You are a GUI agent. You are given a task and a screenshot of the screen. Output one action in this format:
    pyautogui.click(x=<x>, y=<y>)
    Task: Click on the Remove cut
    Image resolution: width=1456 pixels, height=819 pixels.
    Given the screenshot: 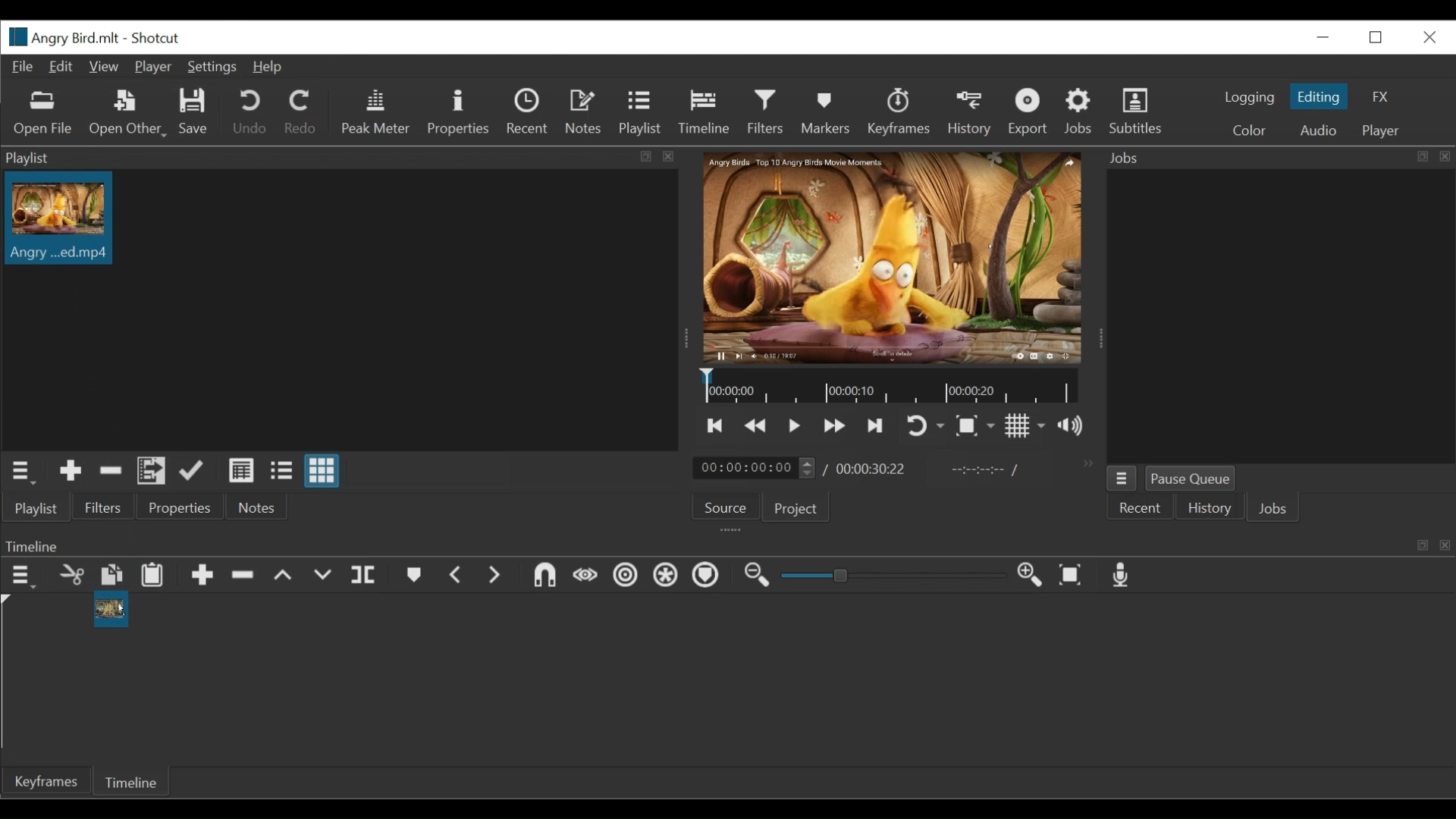 What is the action you would take?
    pyautogui.click(x=111, y=470)
    